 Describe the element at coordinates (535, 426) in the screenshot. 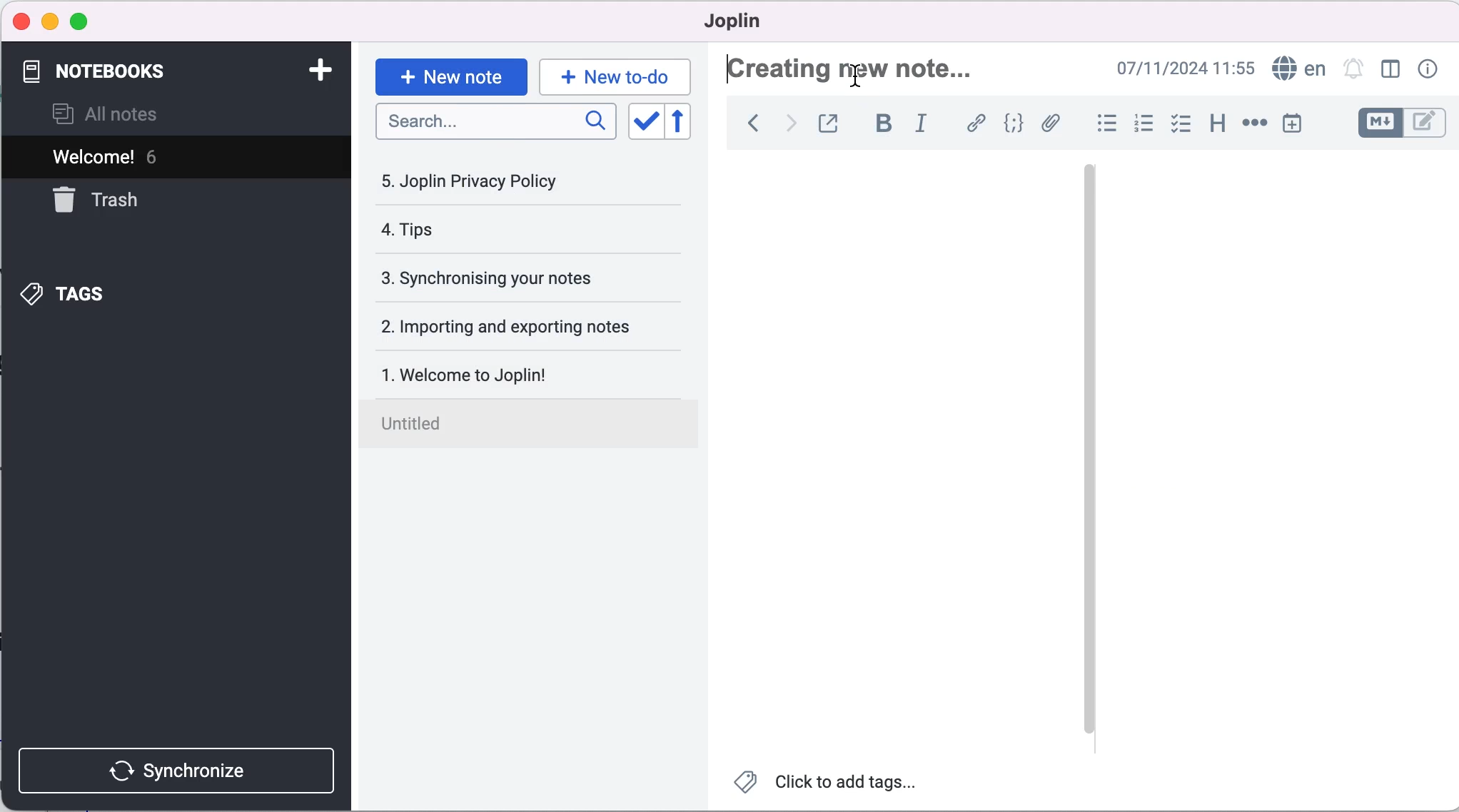

I see `untitled ` at that location.